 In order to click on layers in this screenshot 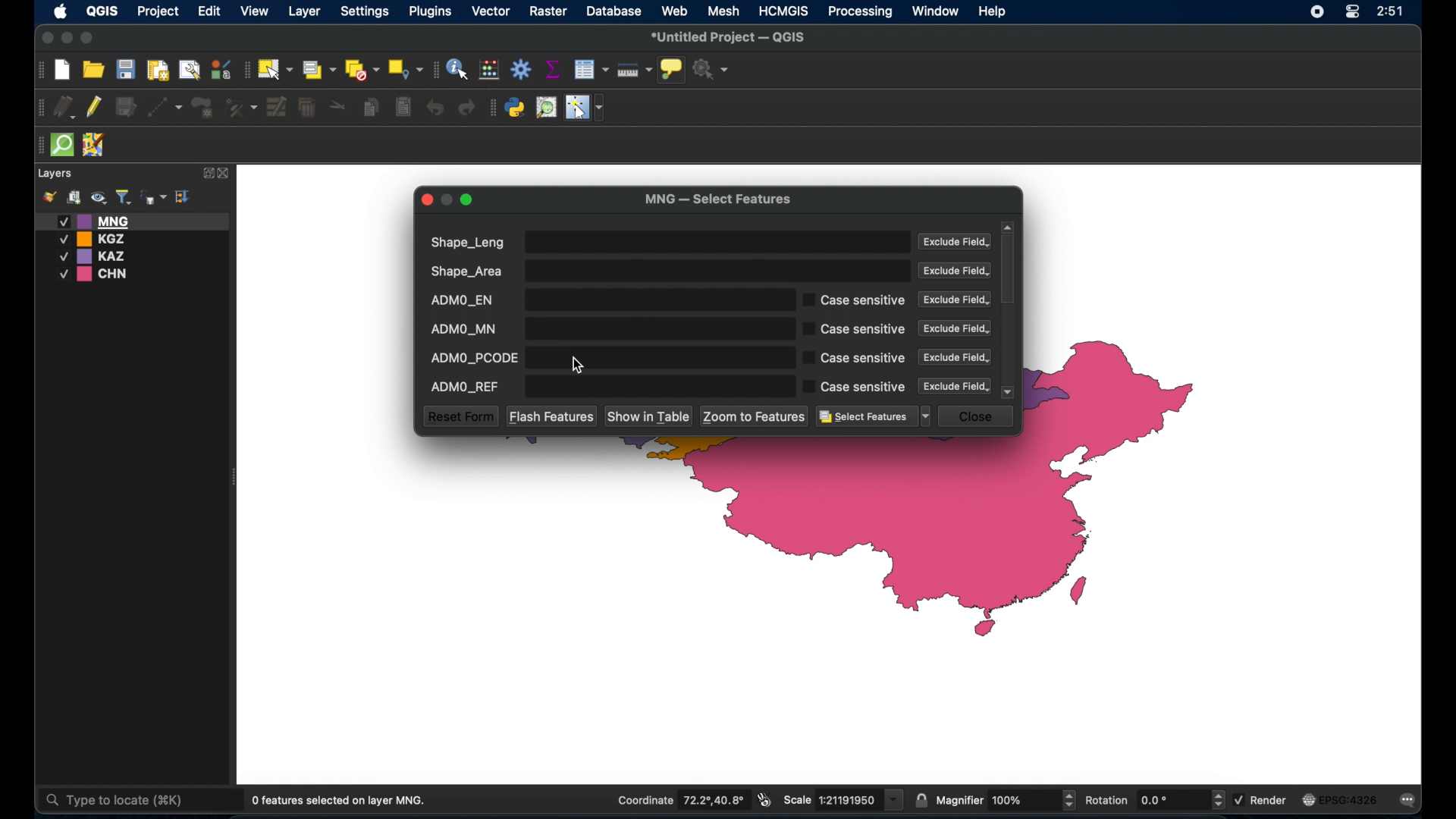, I will do `click(56, 174)`.